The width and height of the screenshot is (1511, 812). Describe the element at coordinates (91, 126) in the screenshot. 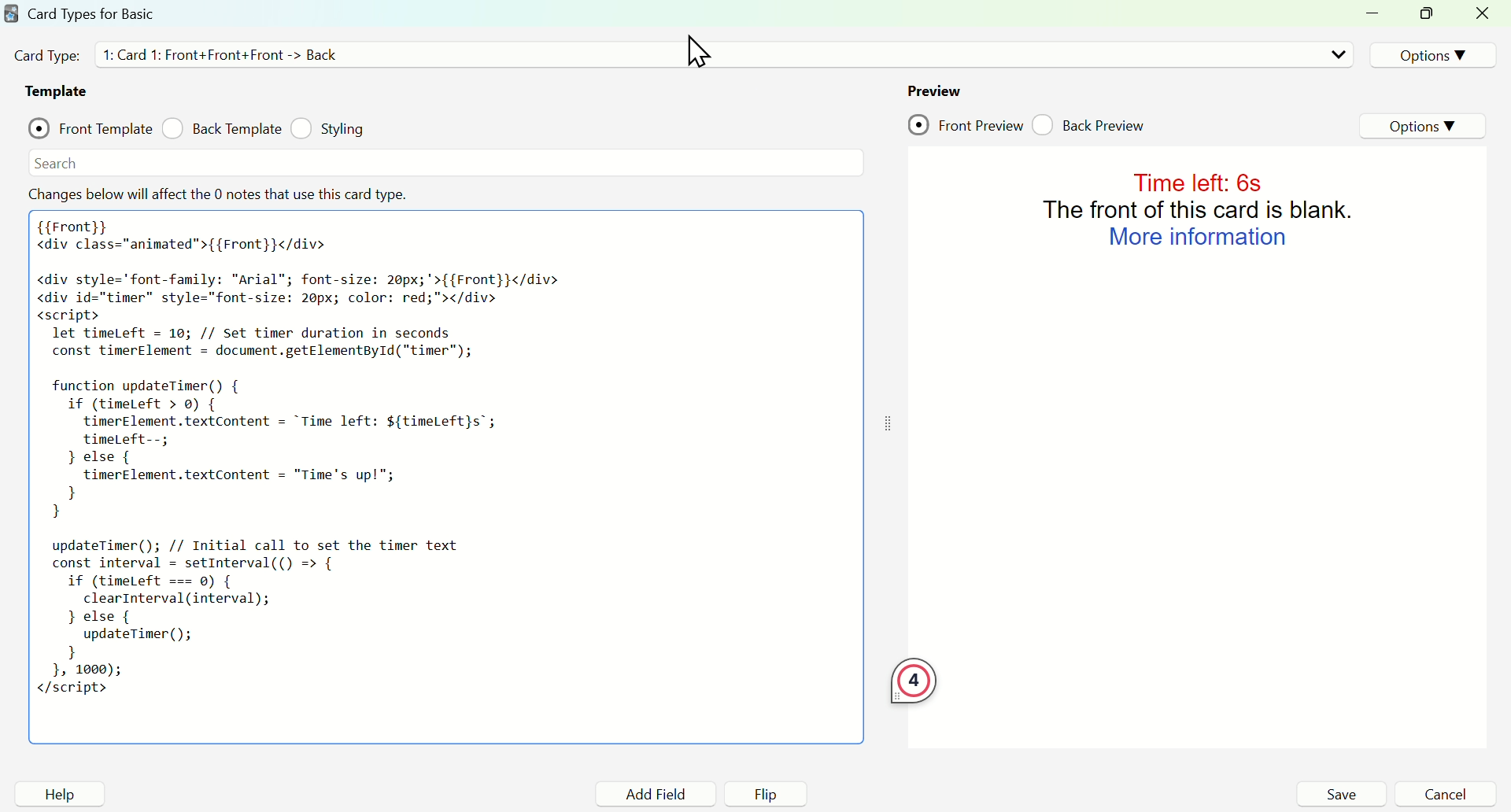

I see `Front Template` at that location.